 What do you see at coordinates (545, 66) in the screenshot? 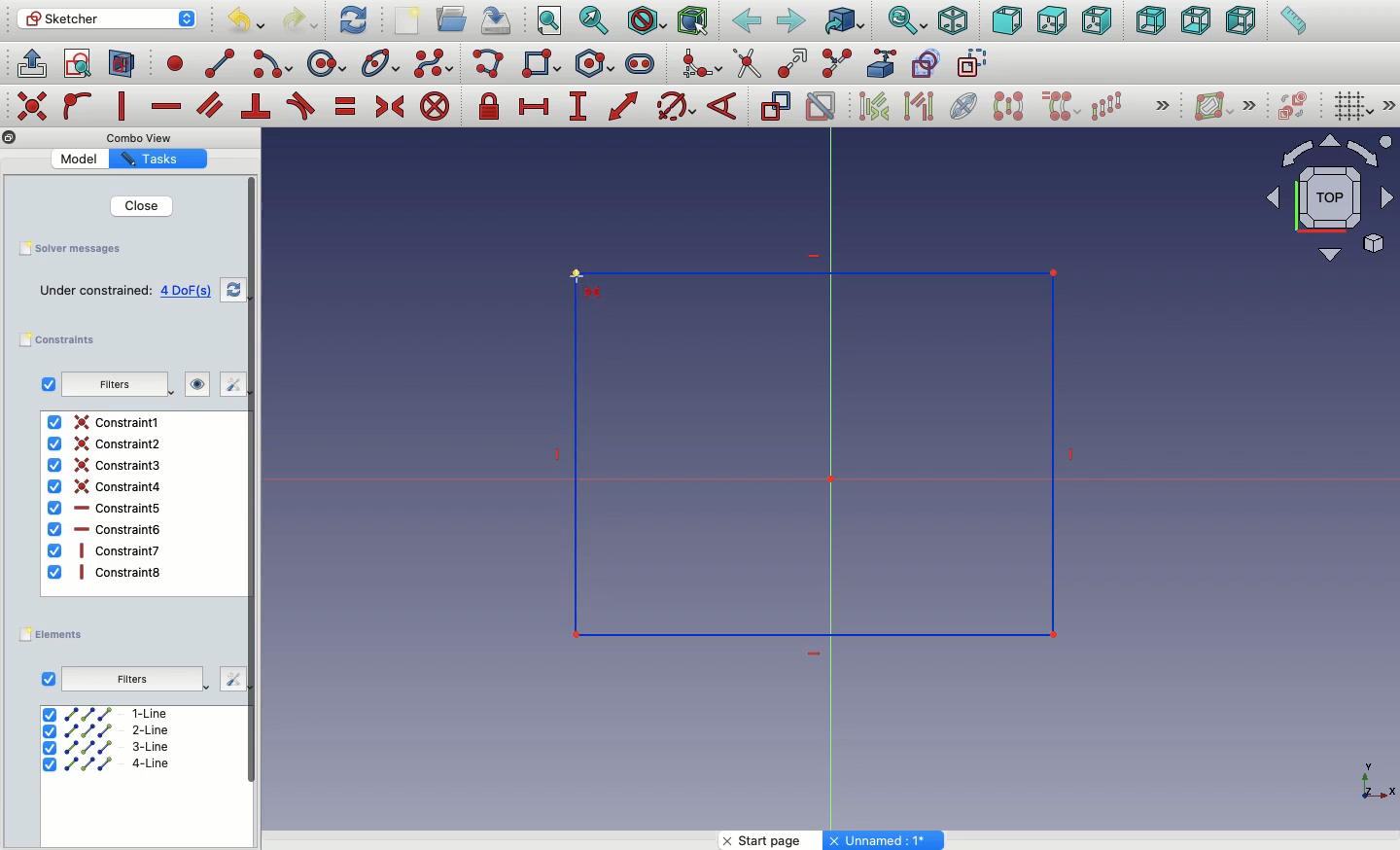
I see `Rectangle` at bounding box center [545, 66].